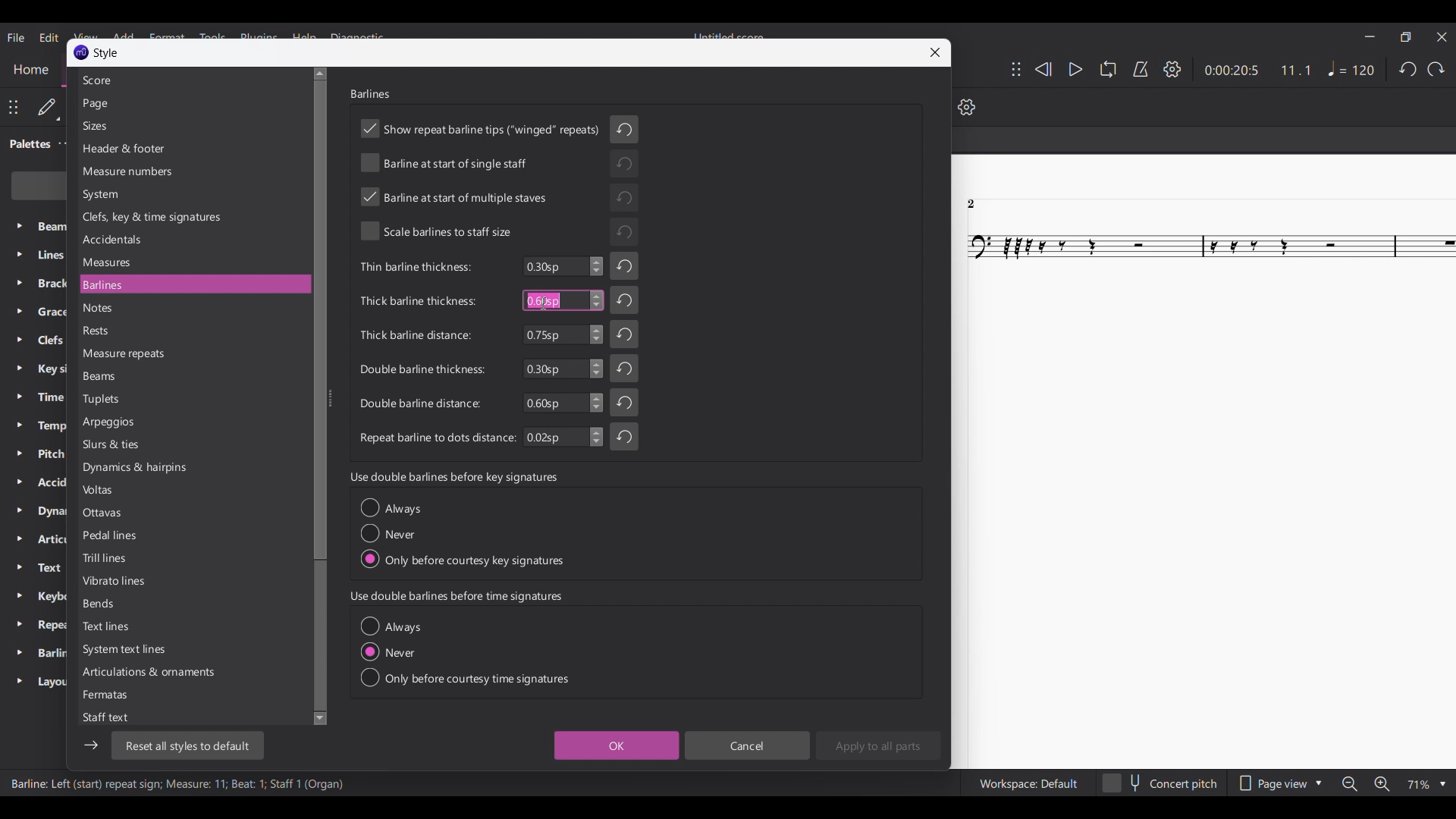 This screenshot has width=1456, height=819. Describe the element at coordinates (1351, 68) in the screenshot. I see `Tempo` at that location.